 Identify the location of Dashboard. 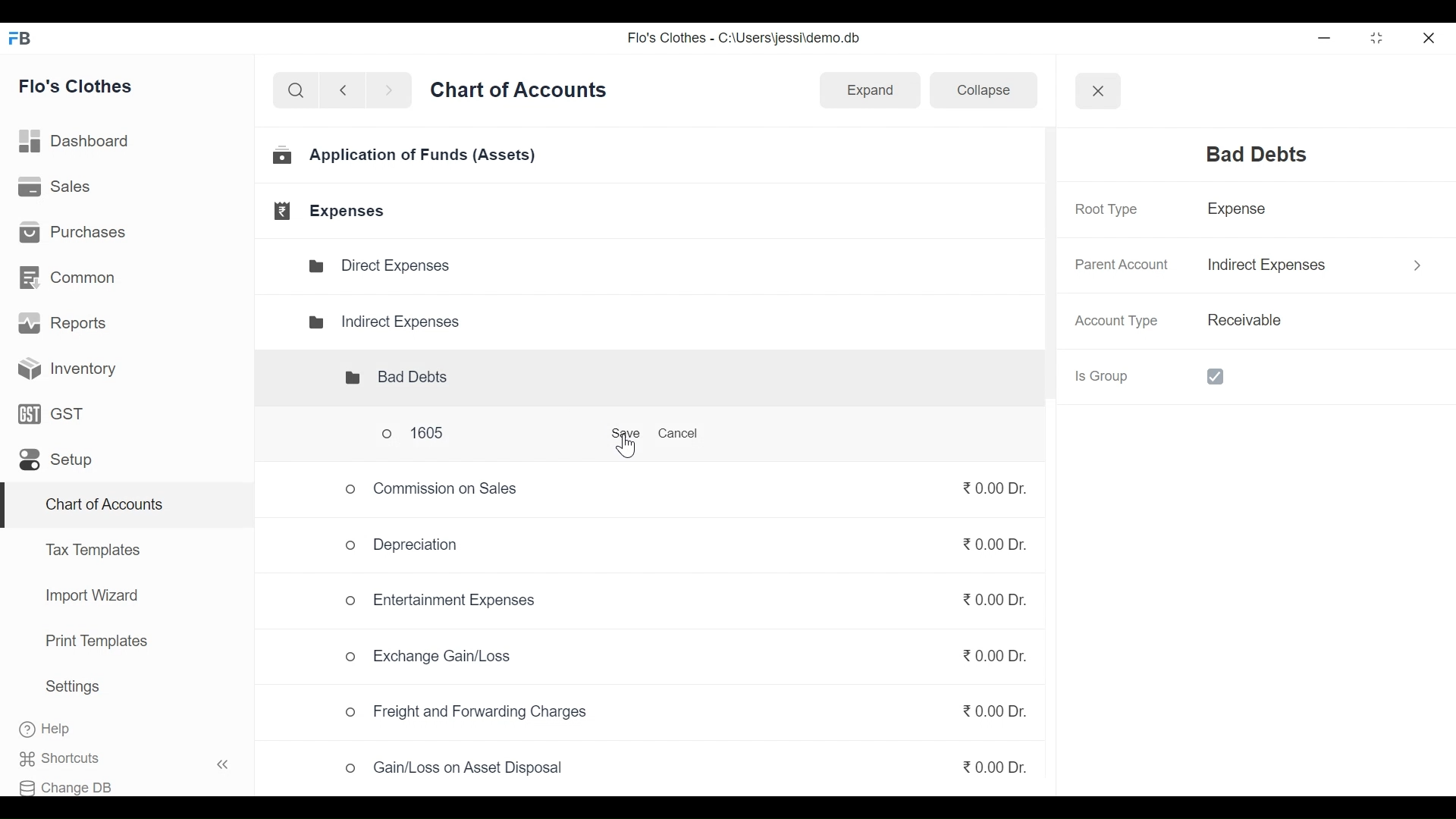
(81, 141).